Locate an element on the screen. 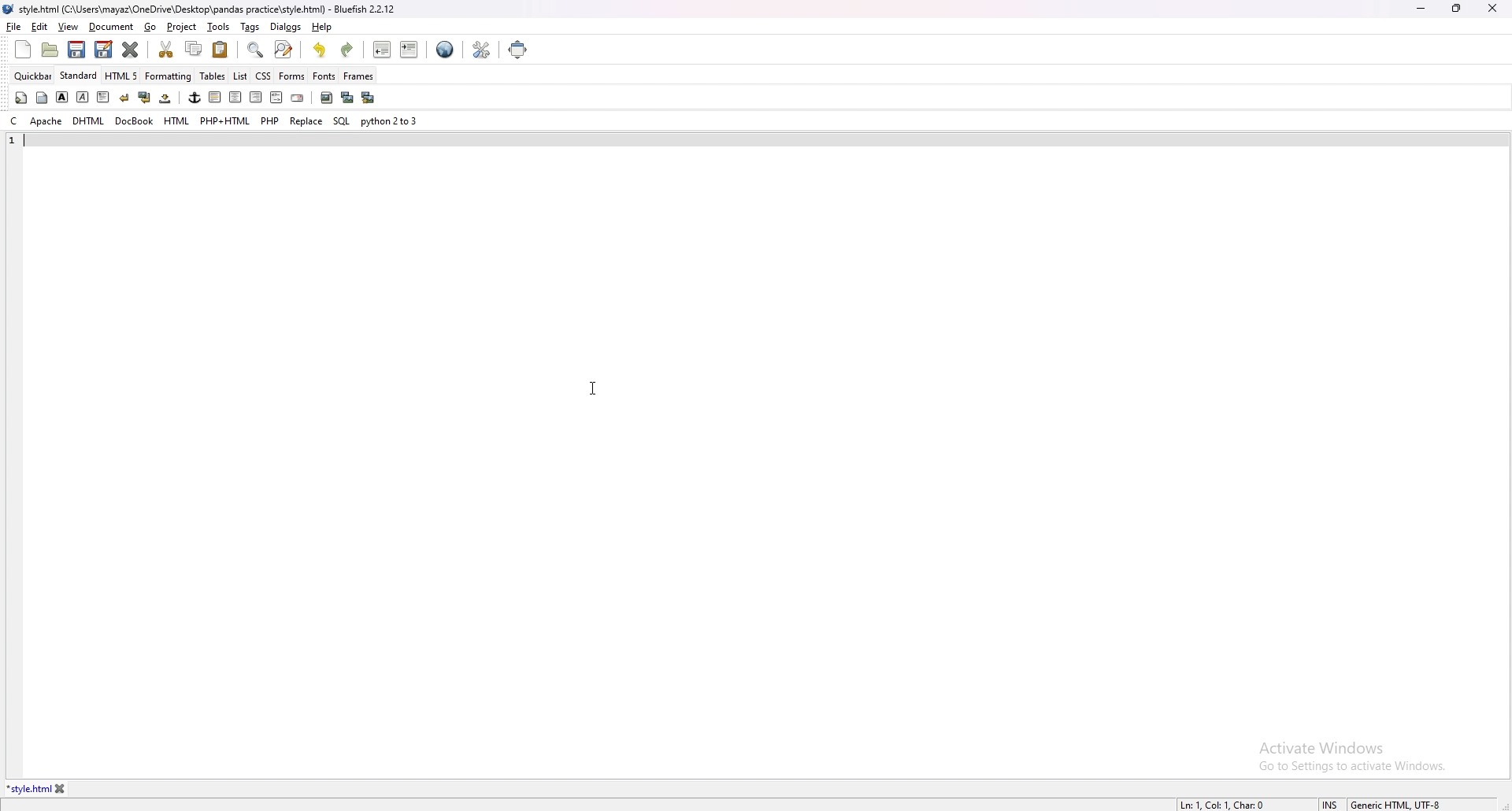 This screenshot has height=811, width=1512. css is located at coordinates (264, 75).